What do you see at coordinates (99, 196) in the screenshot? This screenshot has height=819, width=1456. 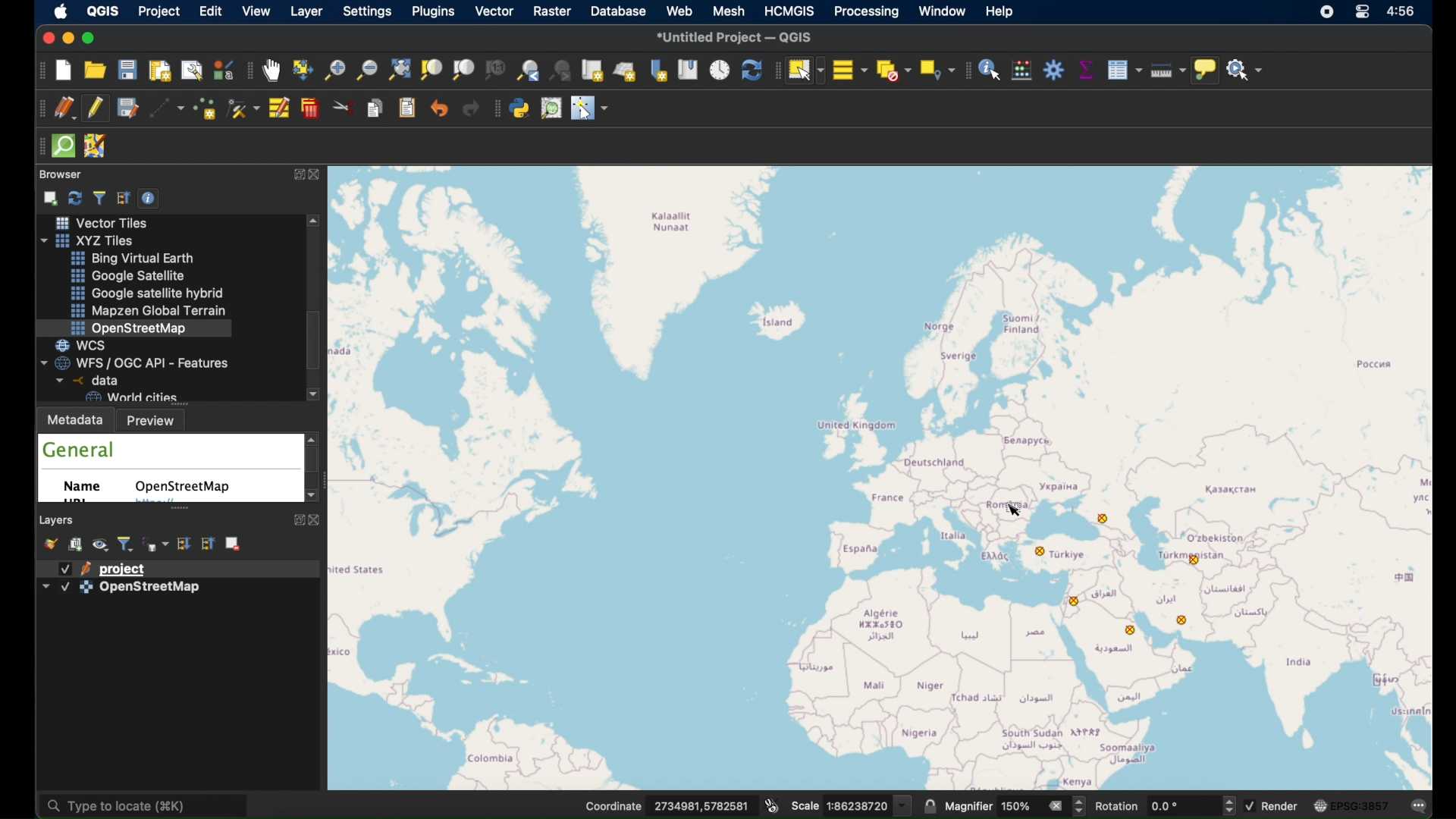 I see `filter browser` at bounding box center [99, 196].